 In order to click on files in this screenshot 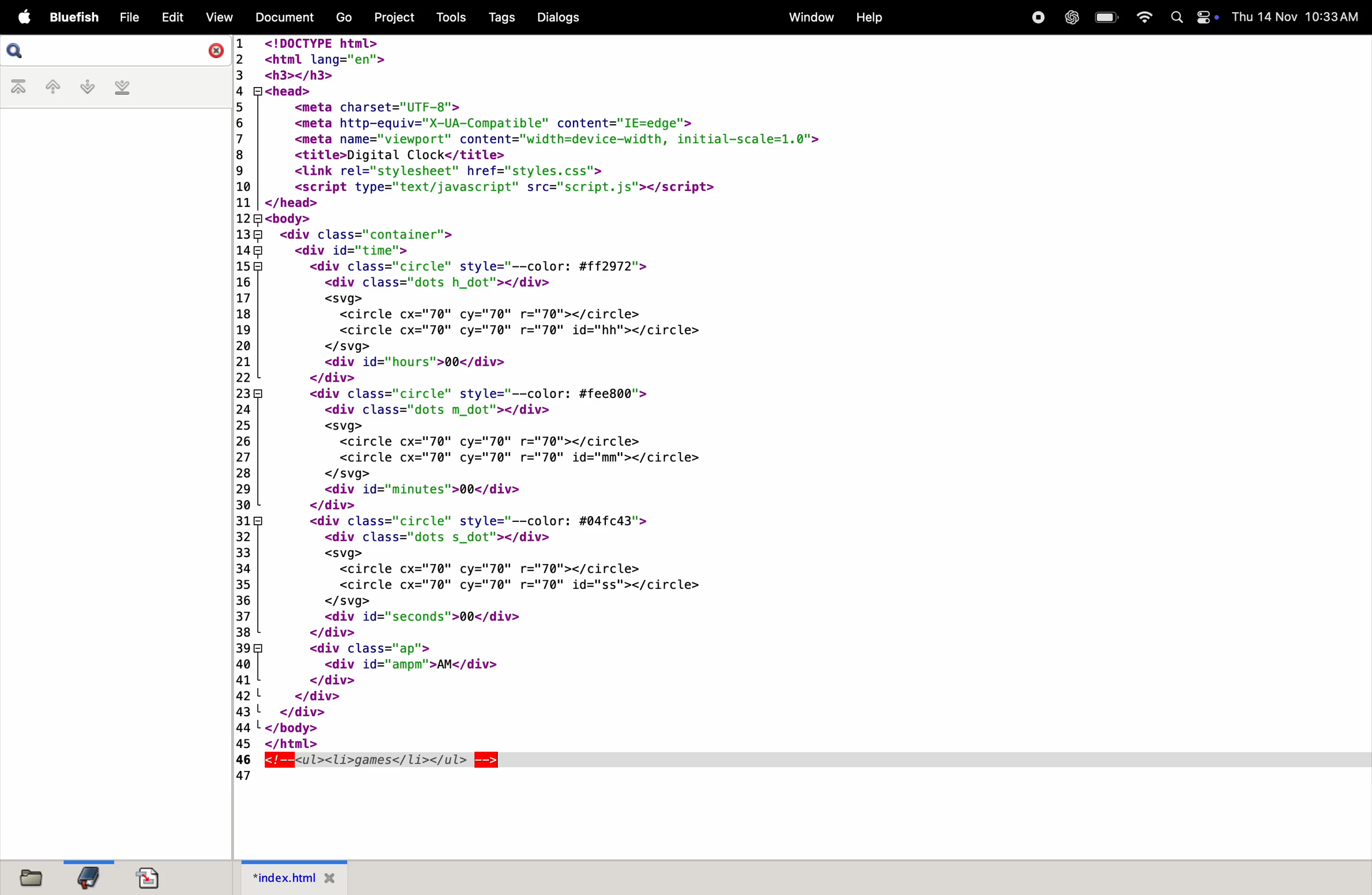, I will do `click(35, 877)`.